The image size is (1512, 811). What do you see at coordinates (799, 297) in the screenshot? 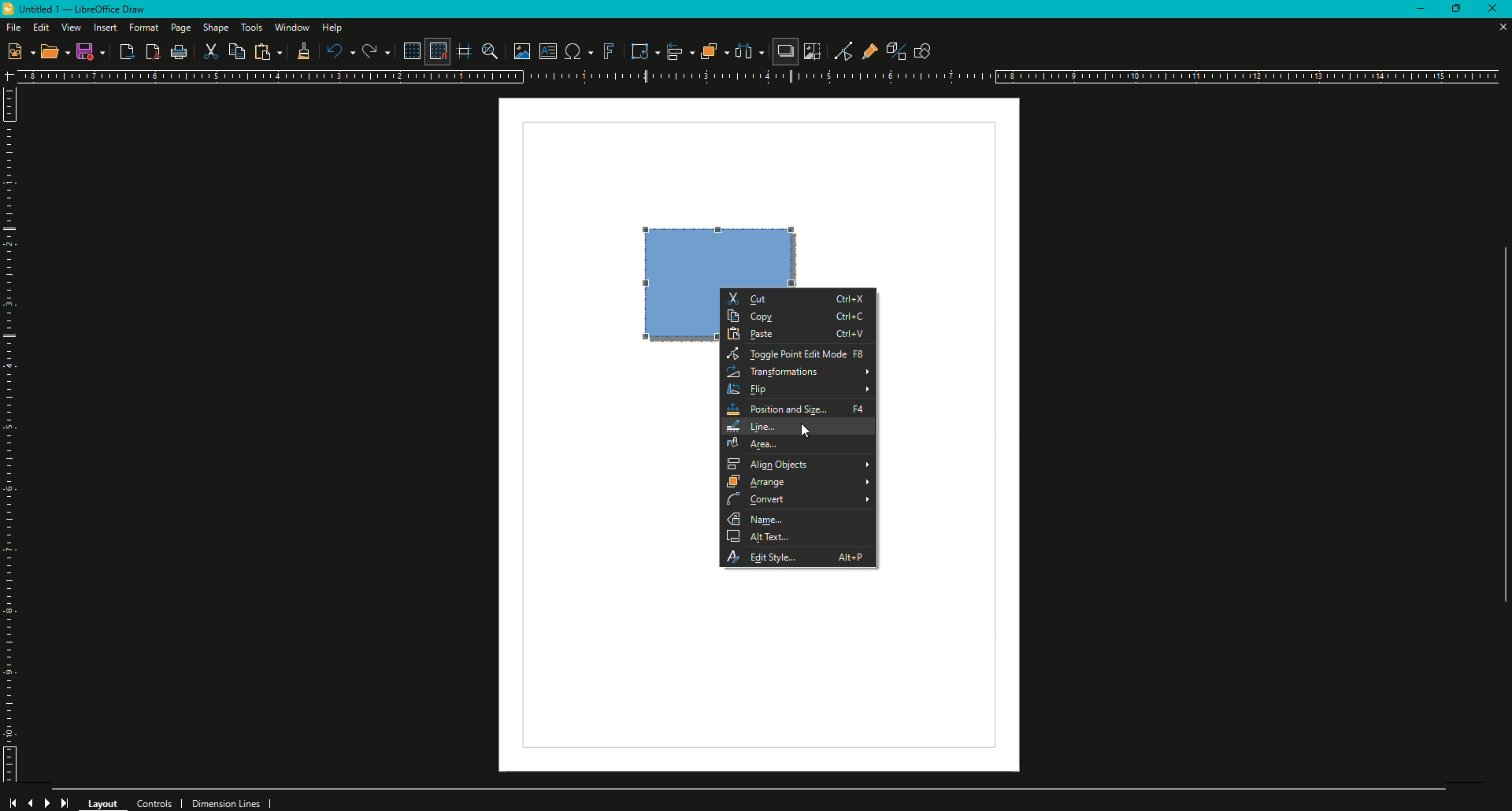
I see `Cut` at bounding box center [799, 297].